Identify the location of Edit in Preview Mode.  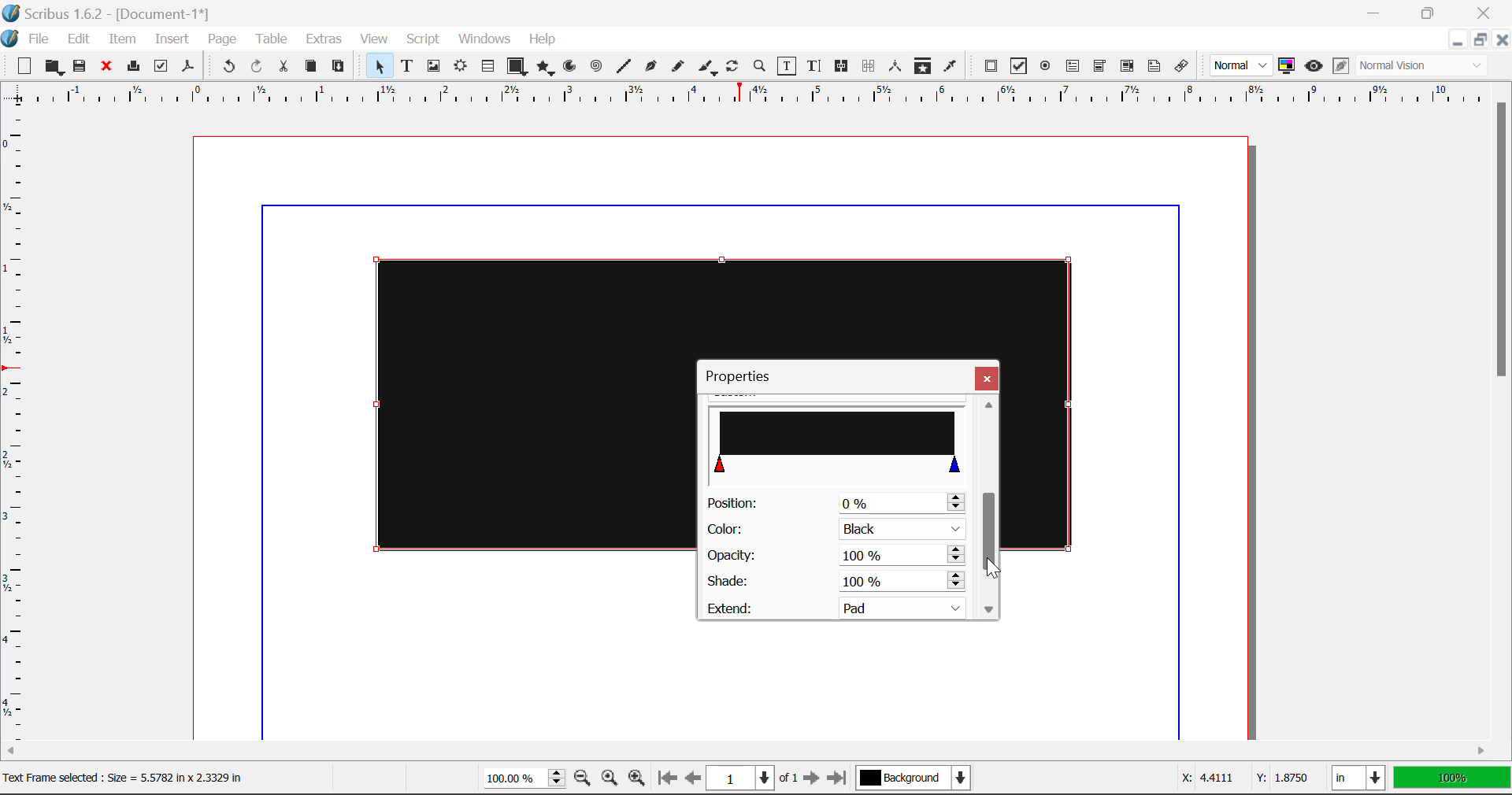
(1341, 66).